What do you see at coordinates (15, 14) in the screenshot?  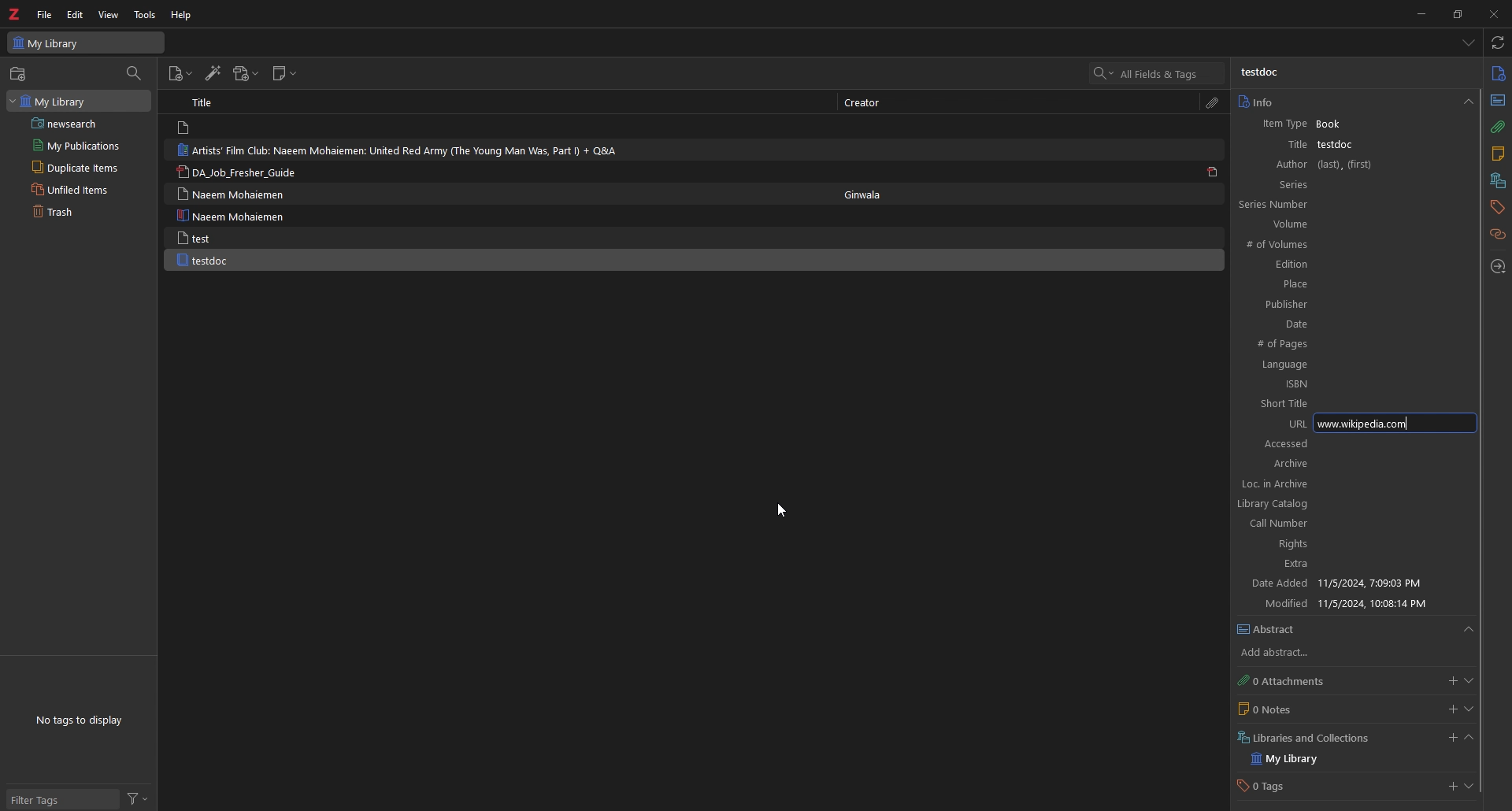 I see `logo` at bounding box center [15, 14].